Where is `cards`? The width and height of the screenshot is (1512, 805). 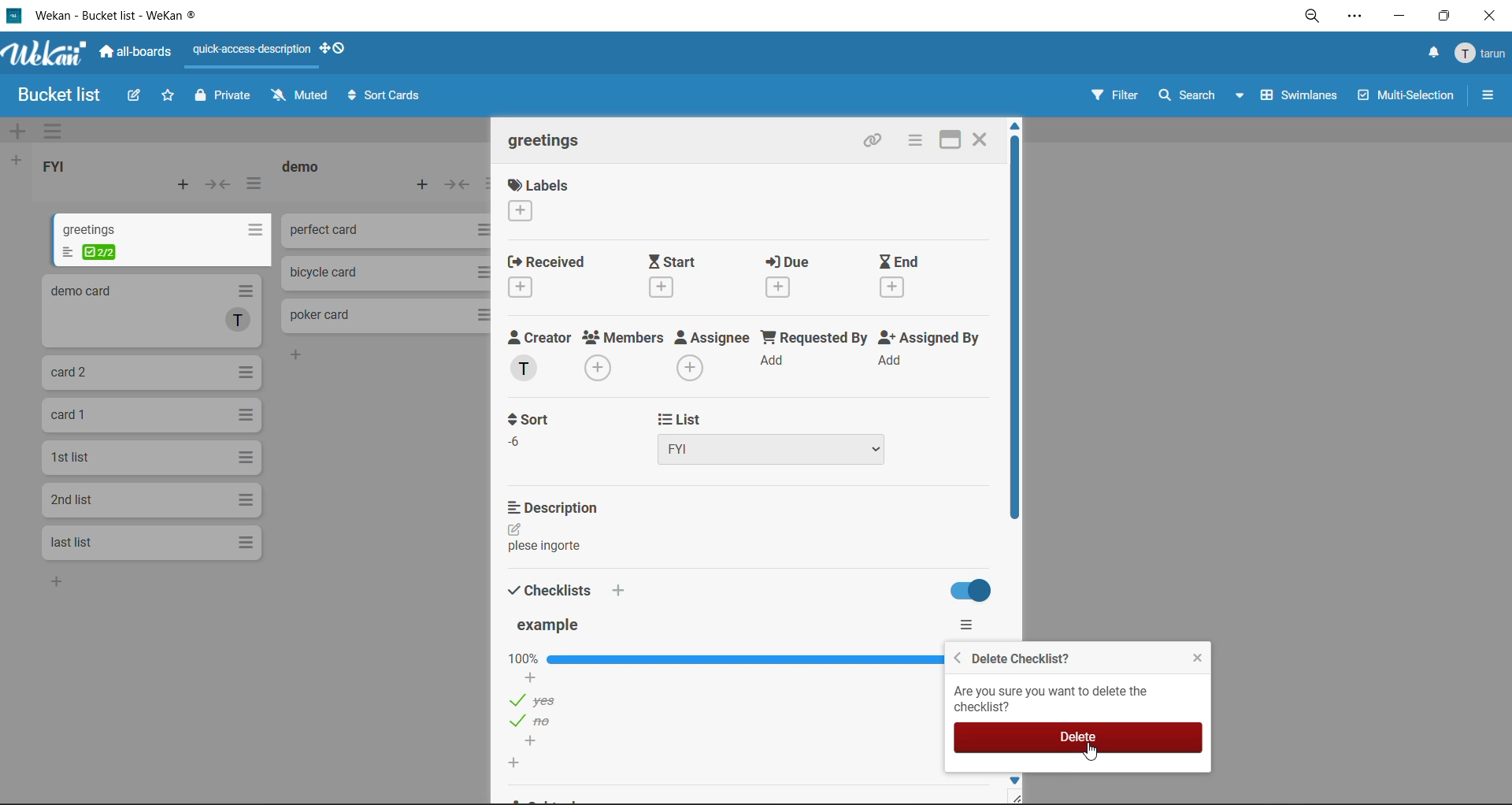 cards is located at coordinates (156, 310).